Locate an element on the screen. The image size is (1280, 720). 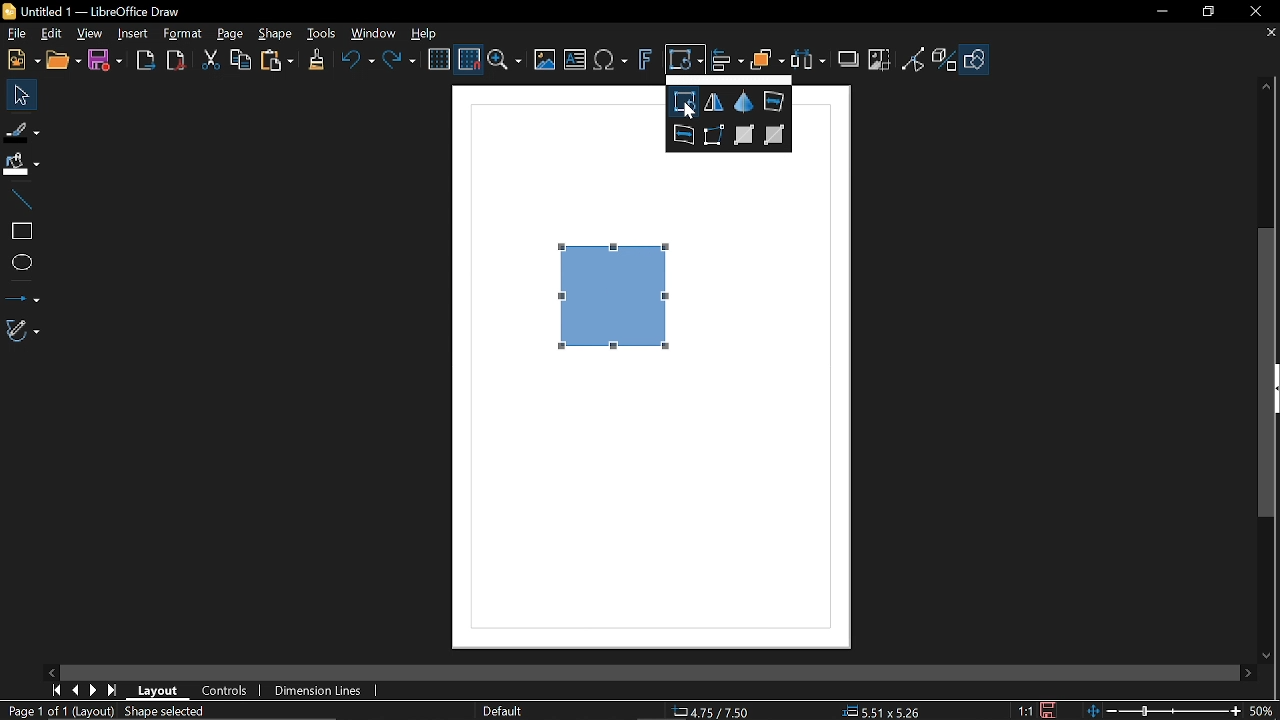
Mirror is located at coordinates (714, 102).